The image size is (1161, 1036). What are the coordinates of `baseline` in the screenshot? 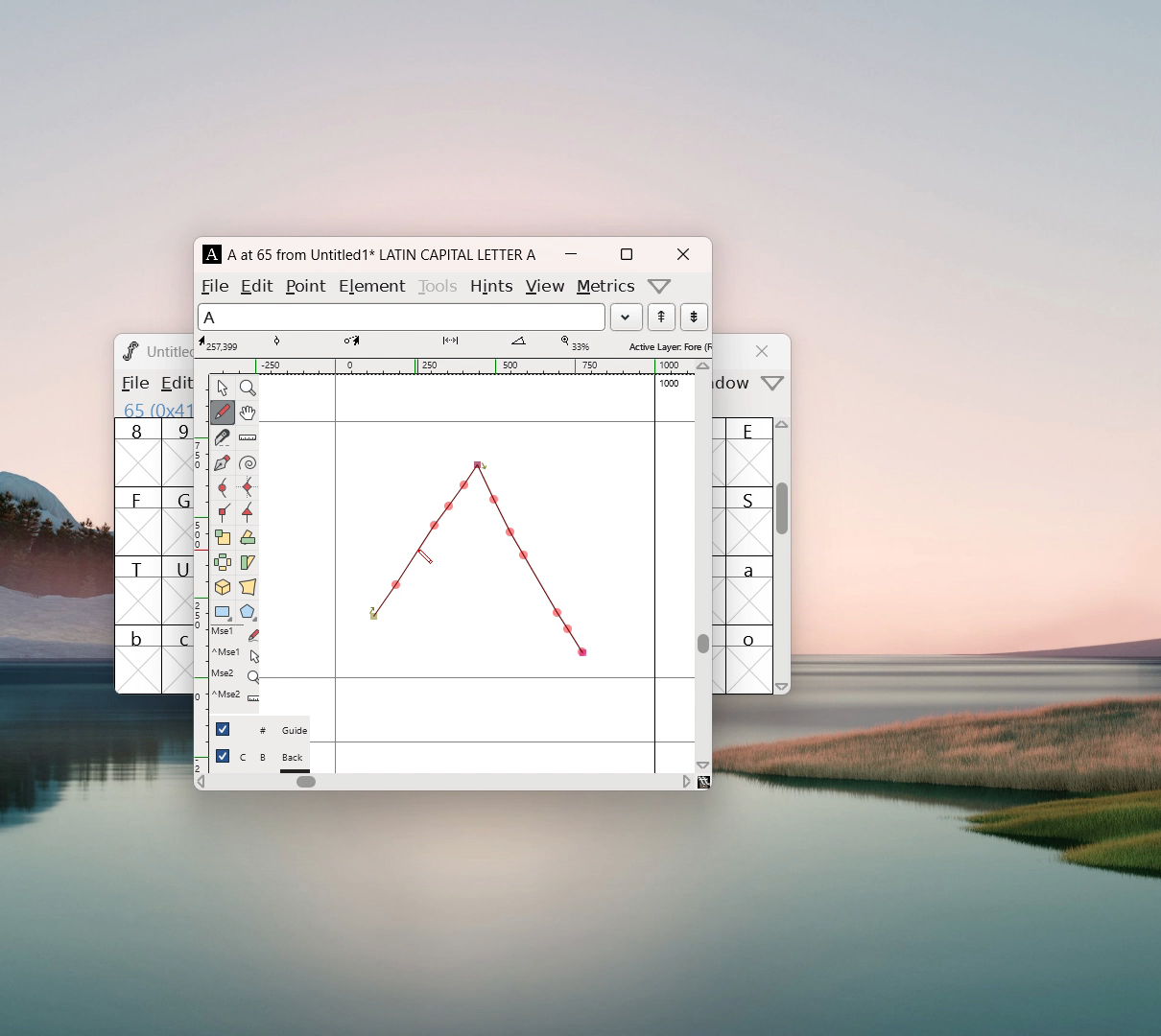 It's located at (478, 678).